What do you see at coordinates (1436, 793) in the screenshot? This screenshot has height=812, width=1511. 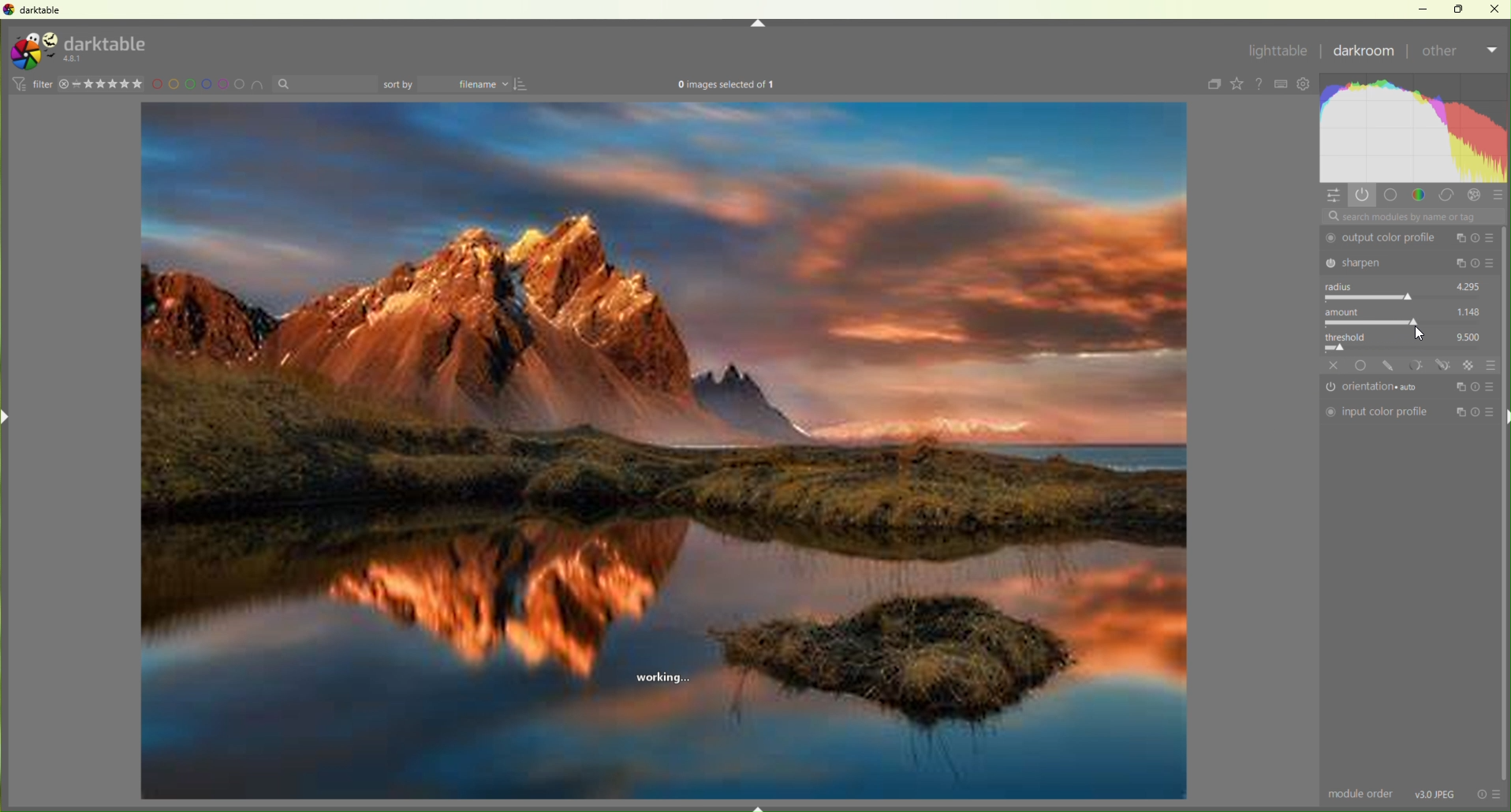 I see `Details ` at bounding box center [1436, 793].